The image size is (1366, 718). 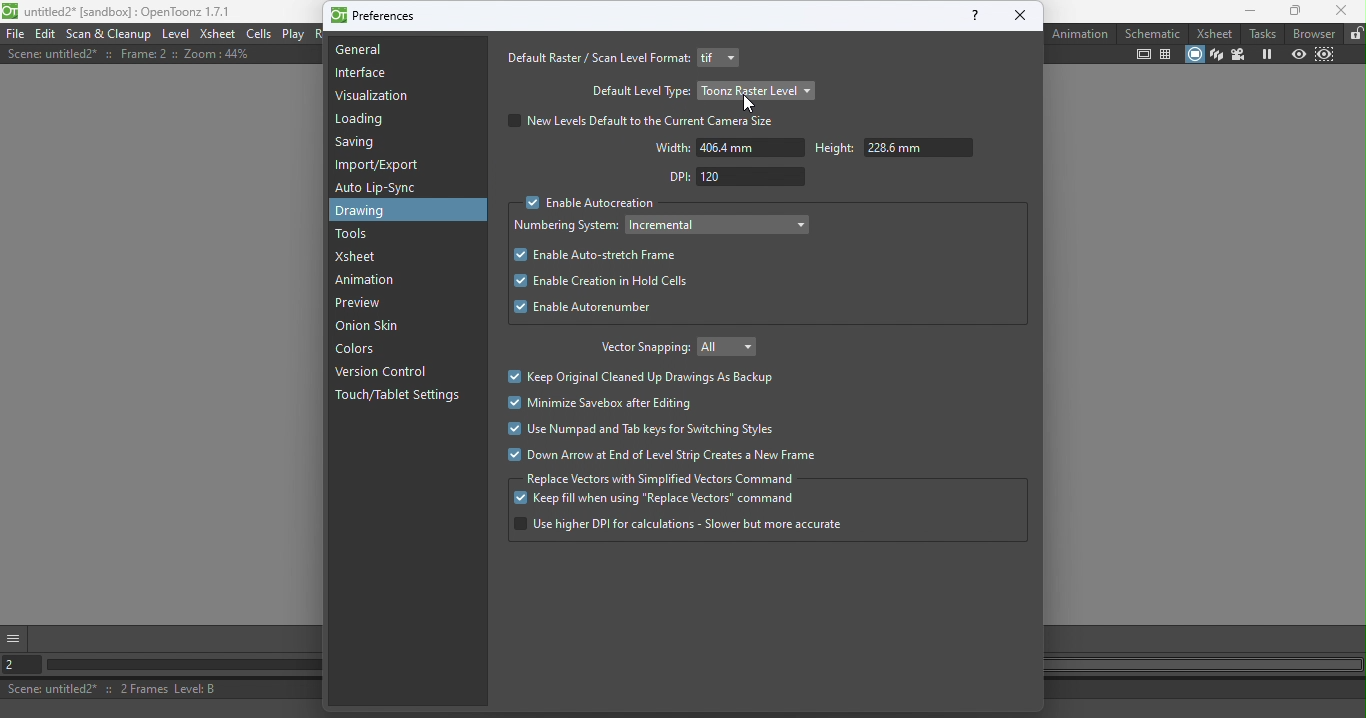 I want to click on Enable autorenumber, so click(x=586, y=310).